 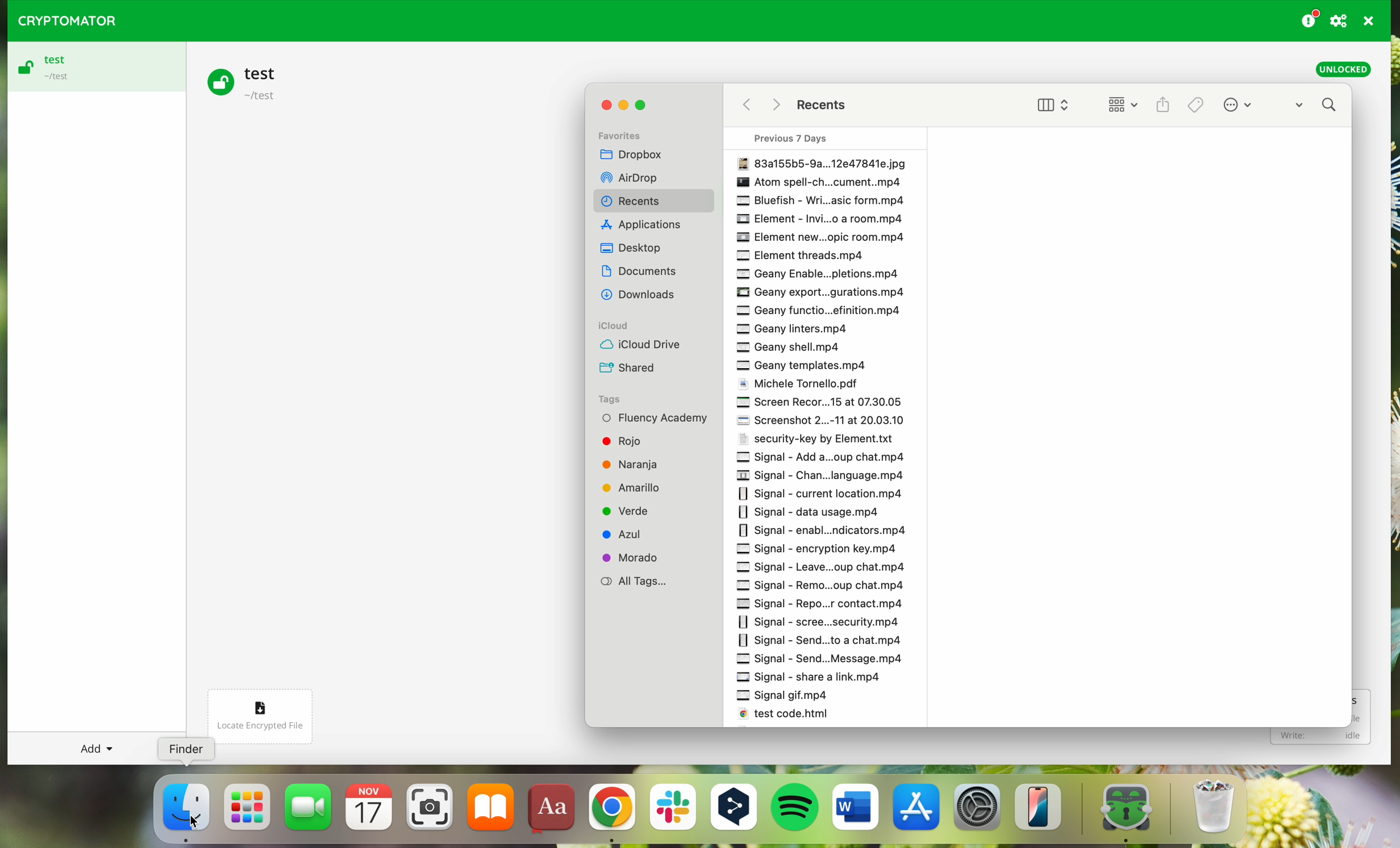 I want to click on Shared, so click(x=630, y=369).